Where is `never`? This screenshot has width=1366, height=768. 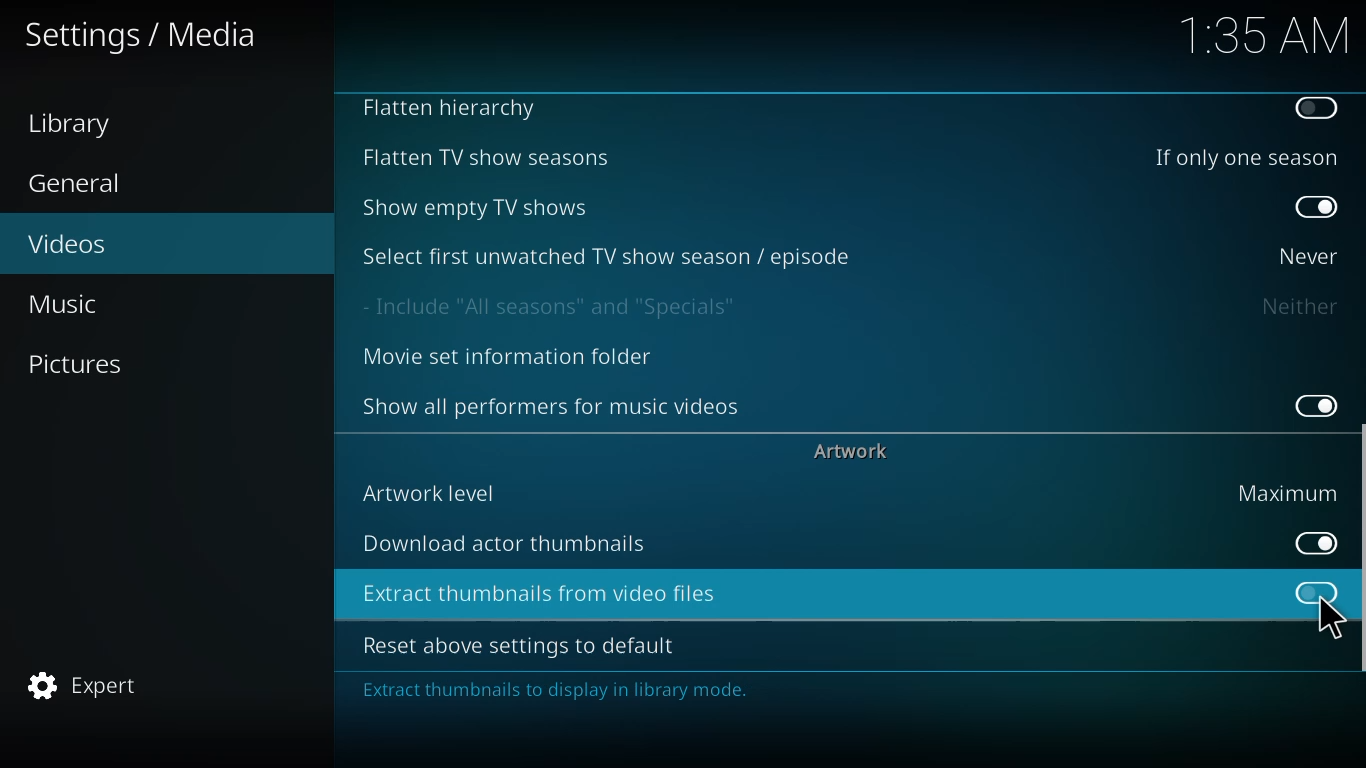 never is located at coordinates (1303, 255).